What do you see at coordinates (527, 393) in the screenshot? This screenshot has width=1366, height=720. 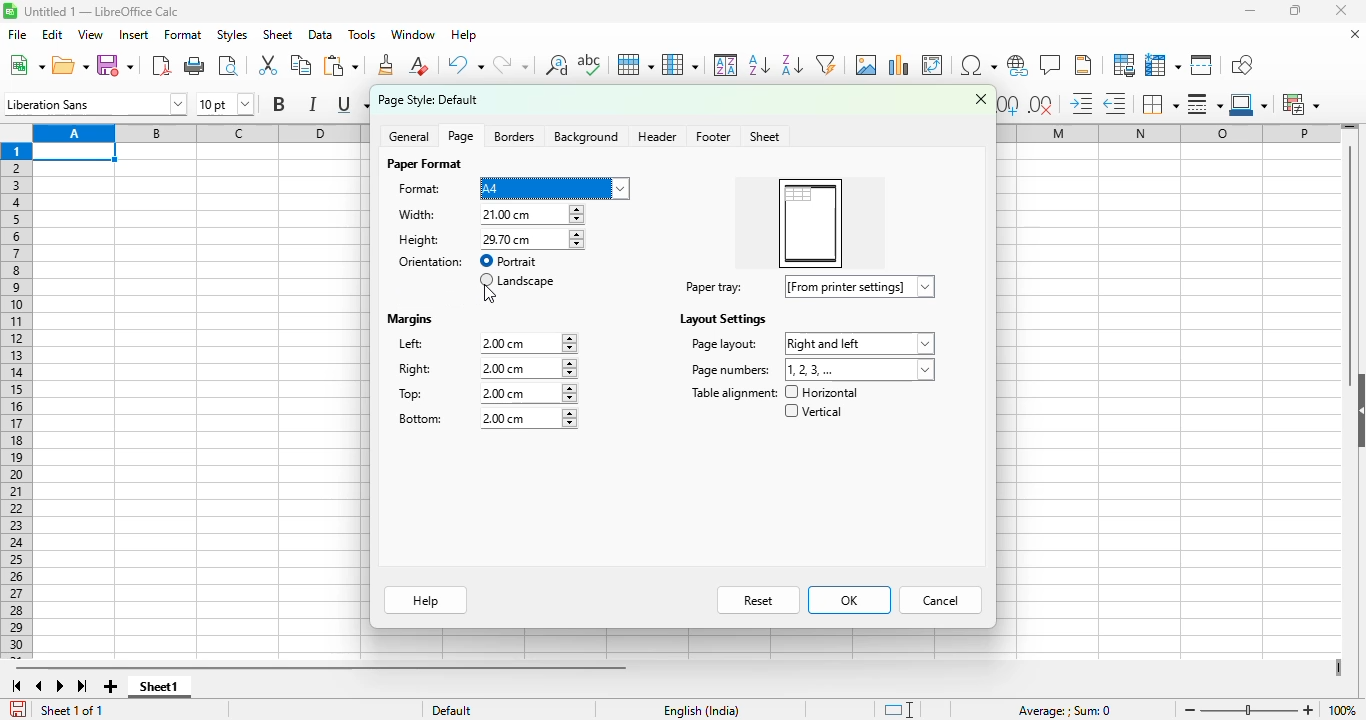 I see `2.00 cm` at bounding box center [527, 393].